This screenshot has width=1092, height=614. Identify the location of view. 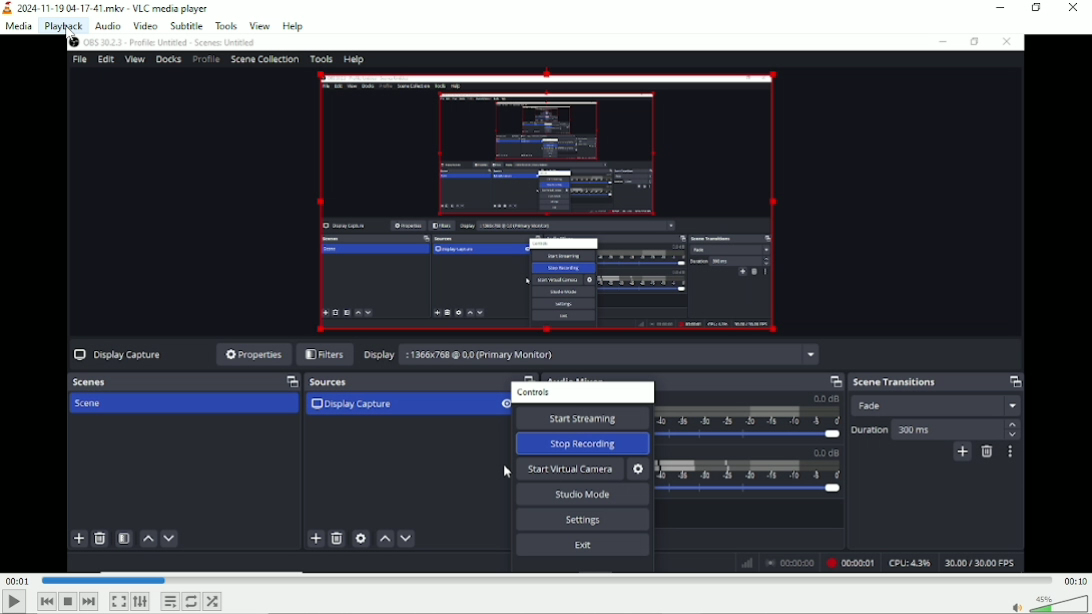
(260, 24).